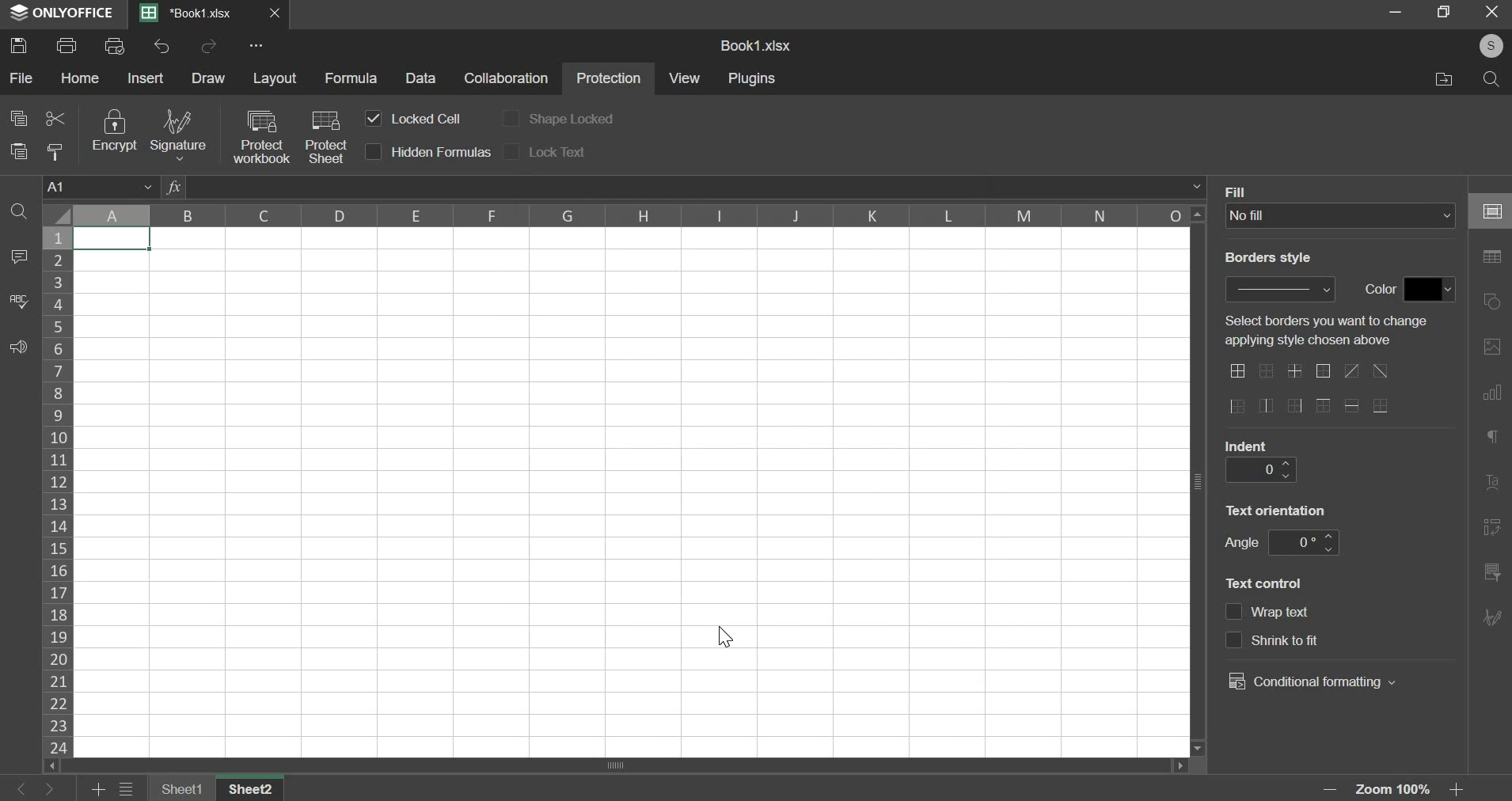  What do you see at coordinates (1301, 543) in the screenshot?
I see `angle` at bounding box center [1301, 543].